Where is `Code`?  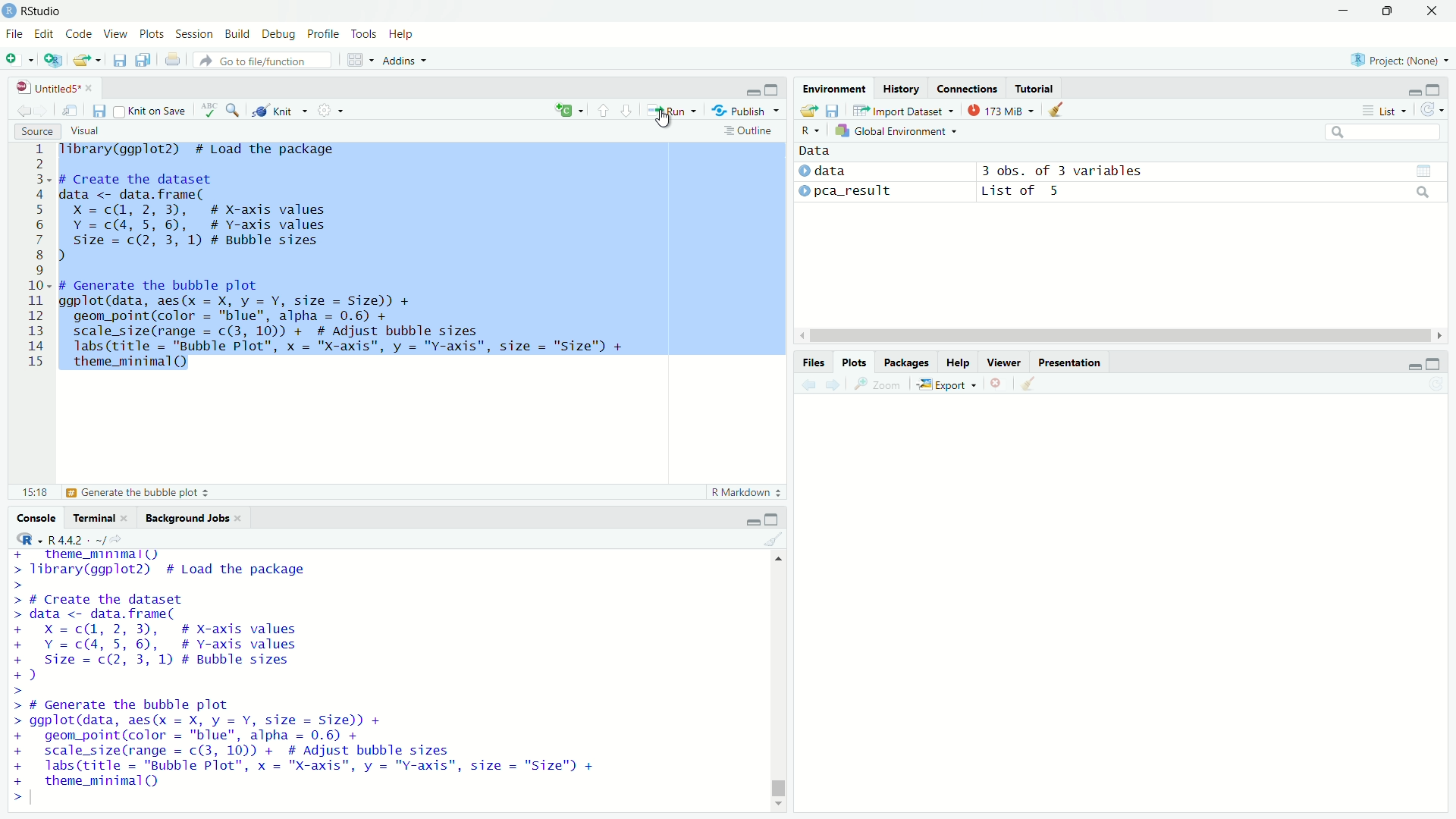
Code is located at coordinates (82, 35).